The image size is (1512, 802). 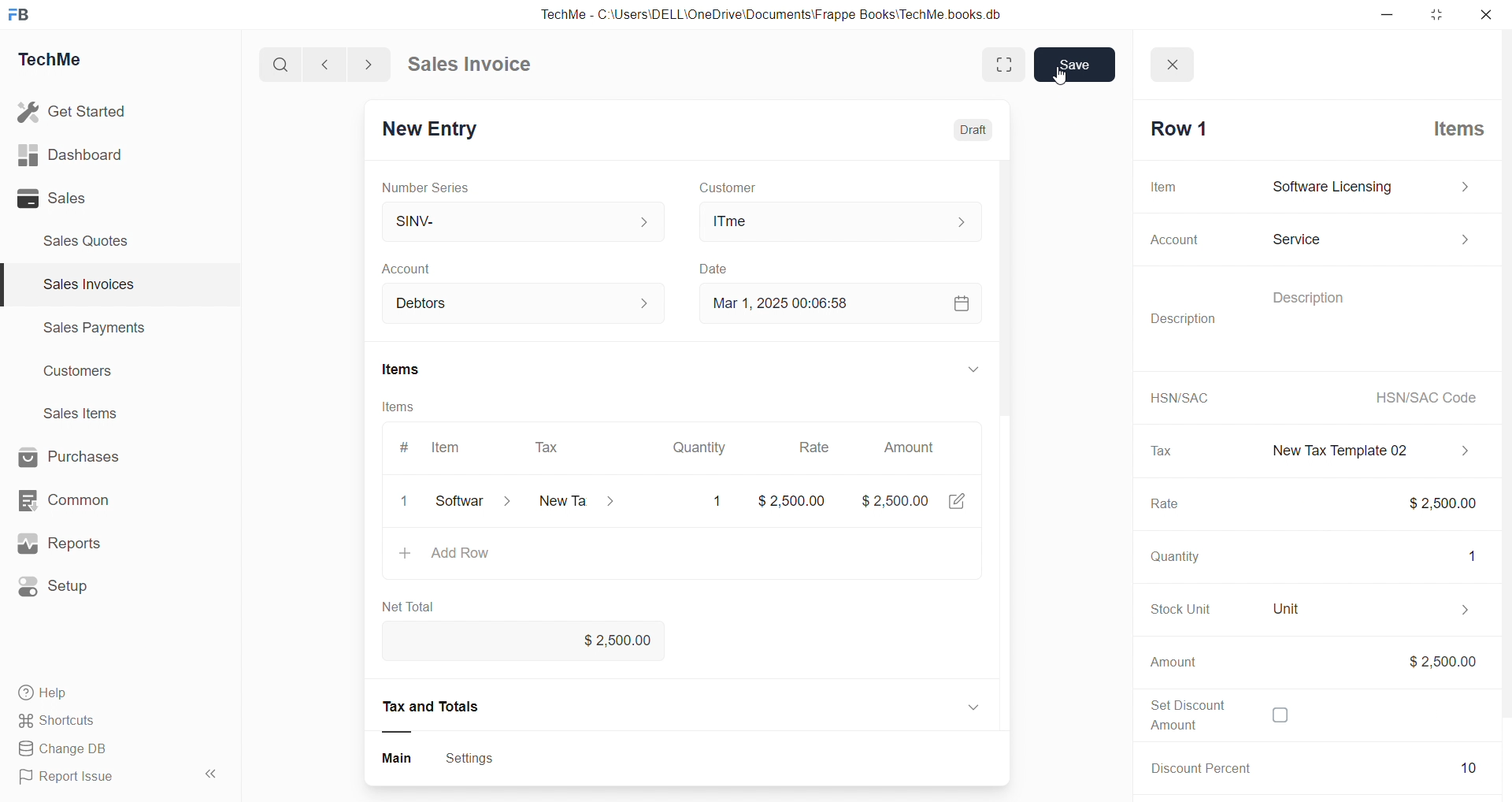 I want to click on 1, so click(x=1465, y=554).